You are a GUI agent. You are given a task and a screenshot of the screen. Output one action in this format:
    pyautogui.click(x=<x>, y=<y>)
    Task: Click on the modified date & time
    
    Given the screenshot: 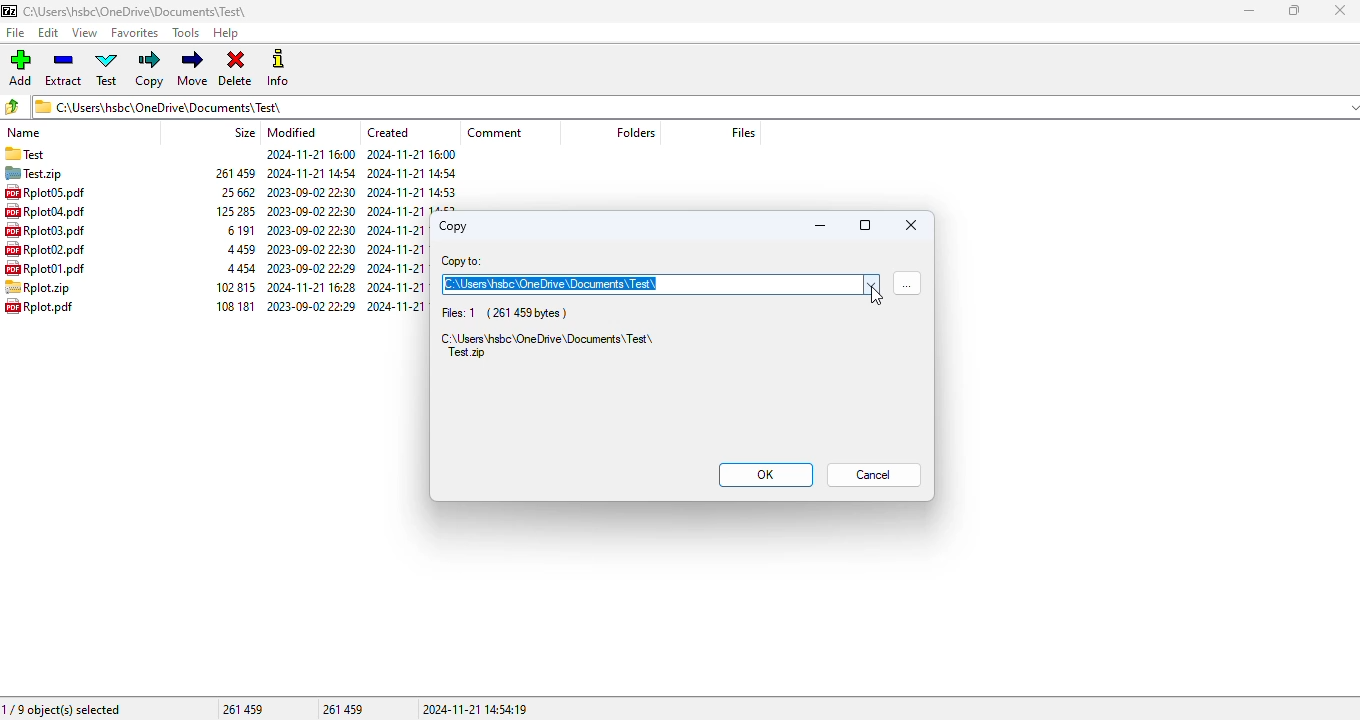 What is the action you would take?
    pyautogui.click(x=311, y=192)
    